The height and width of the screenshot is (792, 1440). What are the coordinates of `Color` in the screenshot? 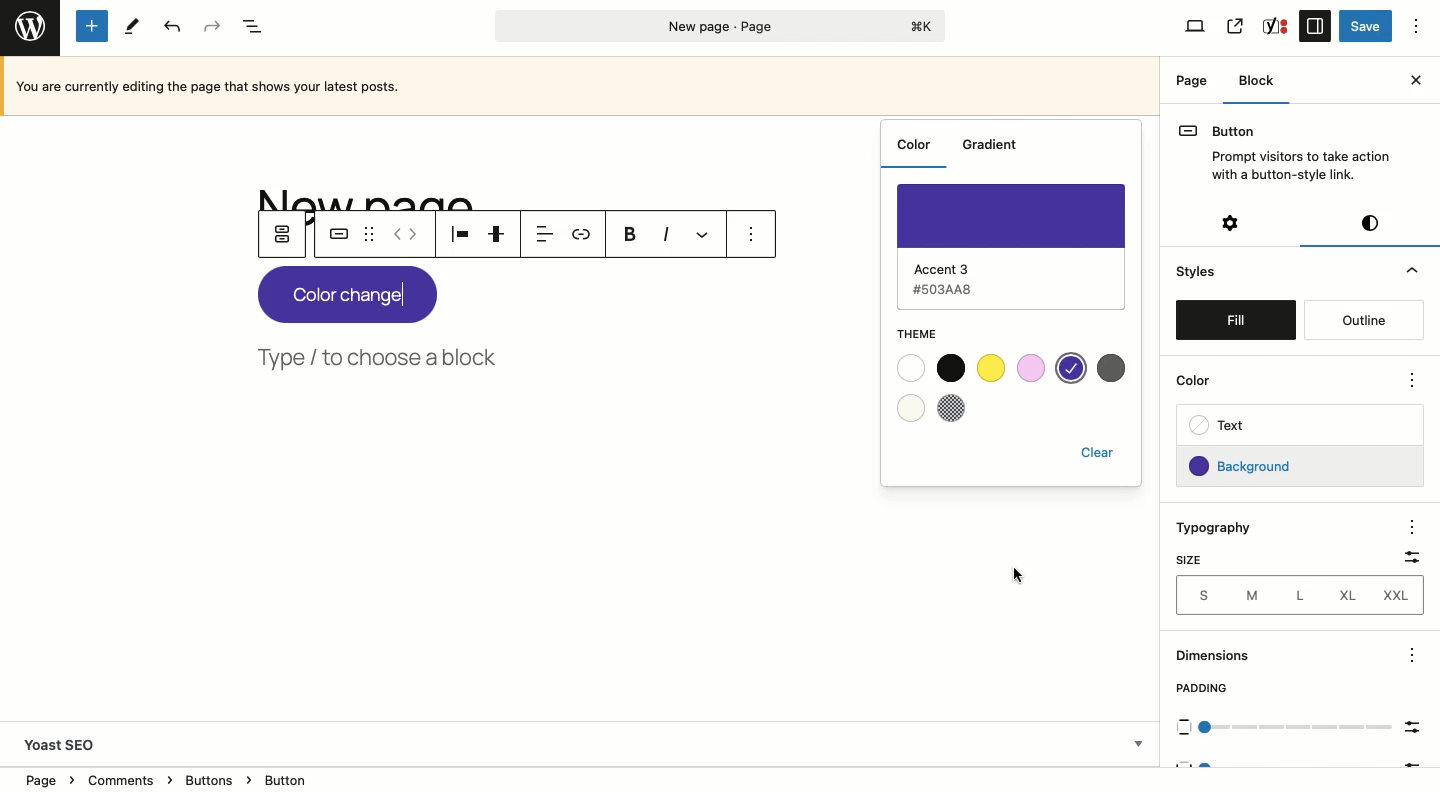 It's located at (915, 148).